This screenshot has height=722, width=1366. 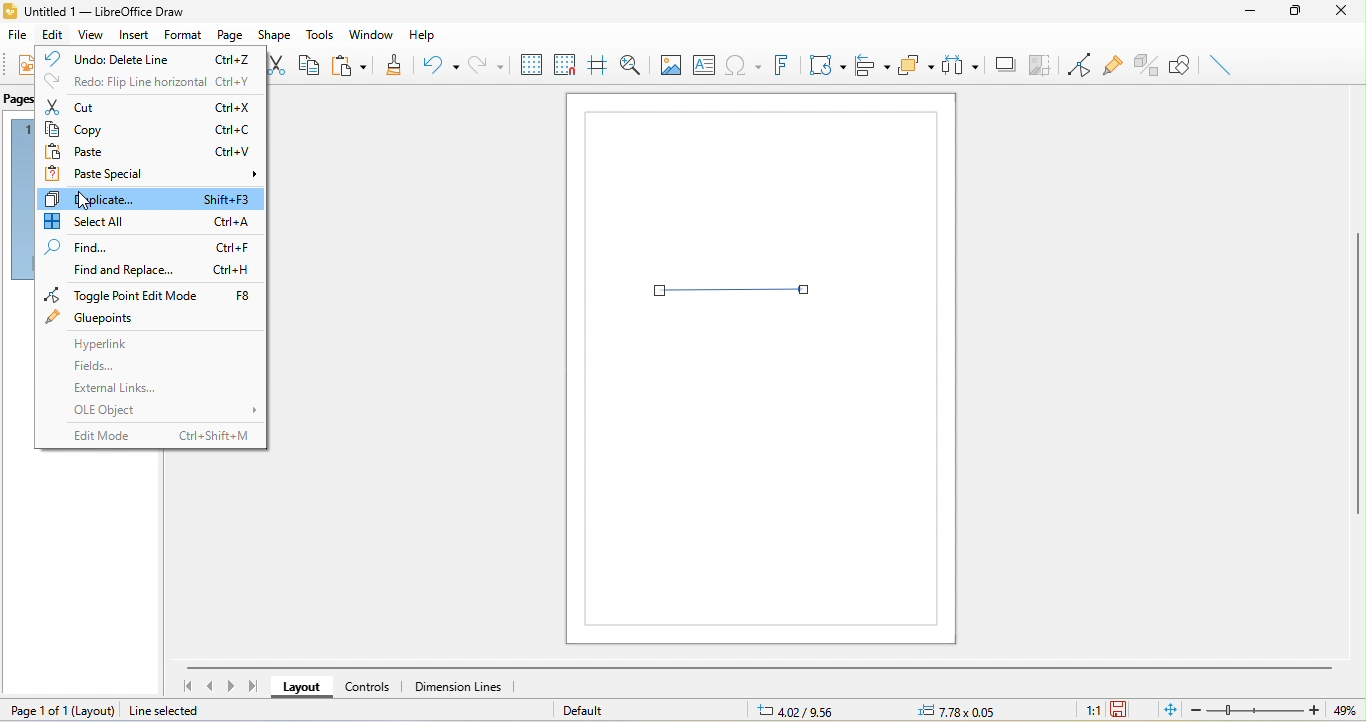 What do you see at coordinates (1122, 710) in the screenshot?
I see `the document has not been modified since the last save` at bounding box center [1122, 710].